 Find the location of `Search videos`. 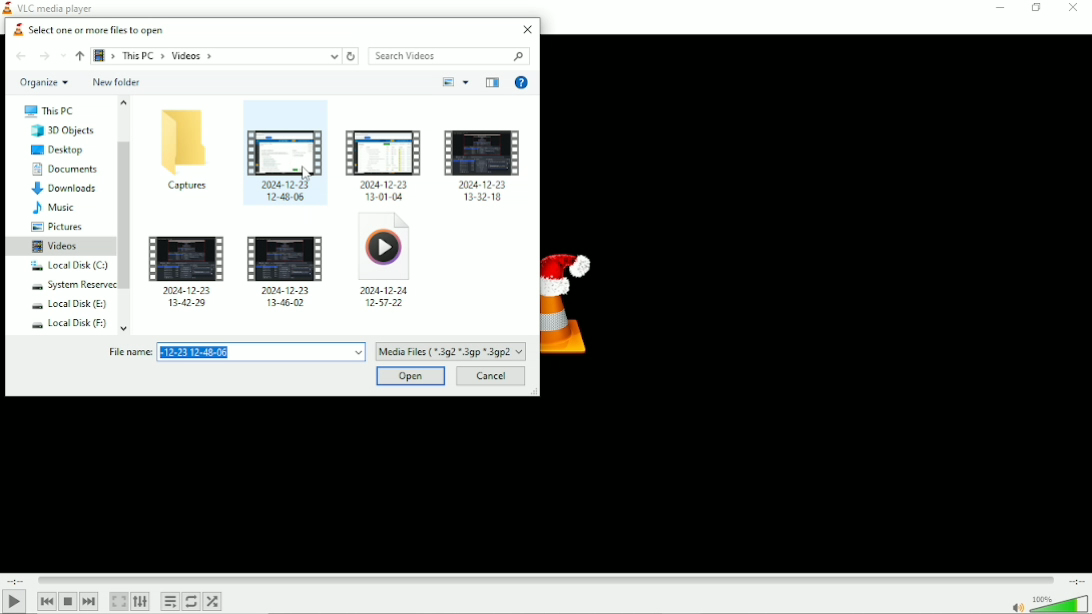

Search videos is located at coordinates (452, 56).